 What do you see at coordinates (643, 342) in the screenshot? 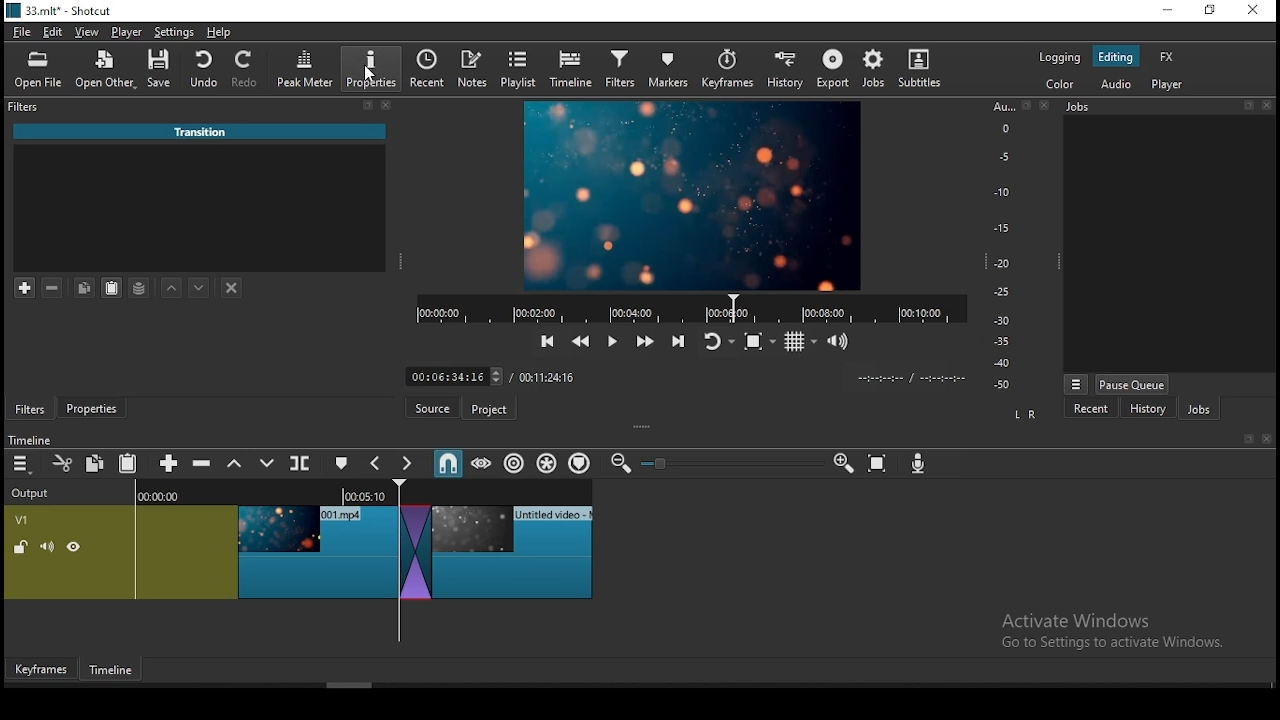
I see `play quickly forward` at bounding box center [643, 342].